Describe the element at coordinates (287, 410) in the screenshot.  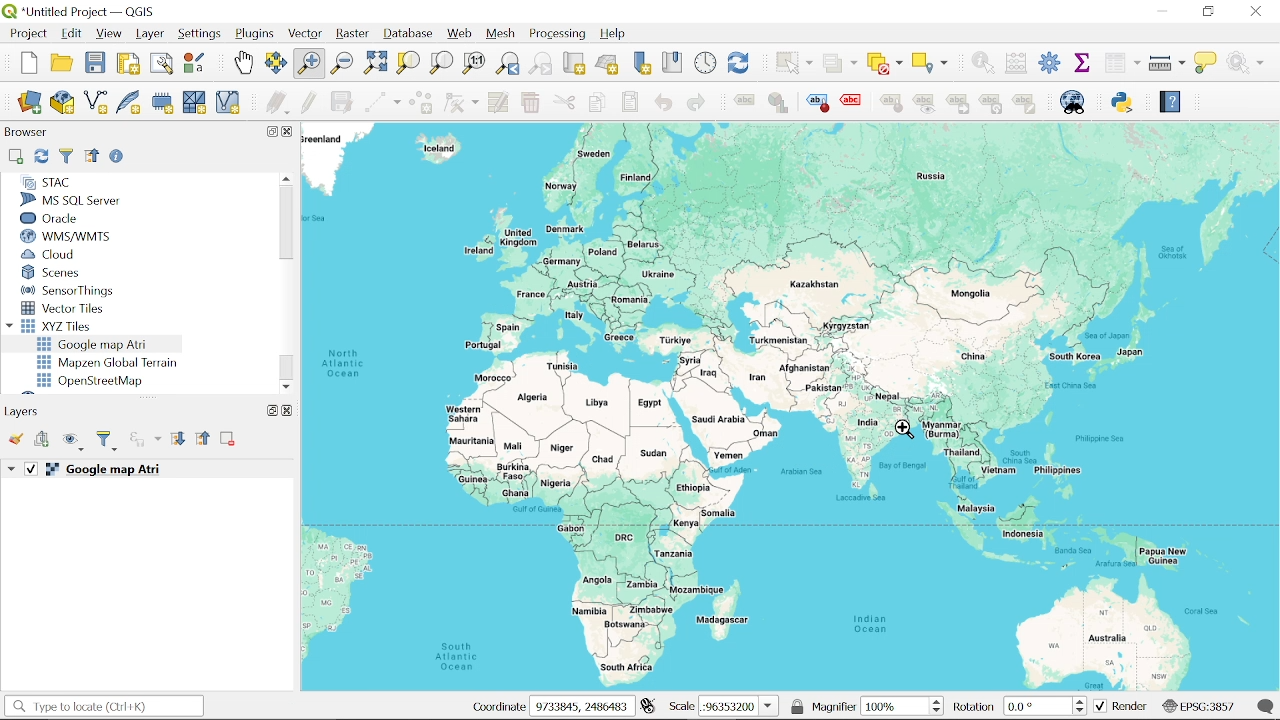
I see `Close` at that location.